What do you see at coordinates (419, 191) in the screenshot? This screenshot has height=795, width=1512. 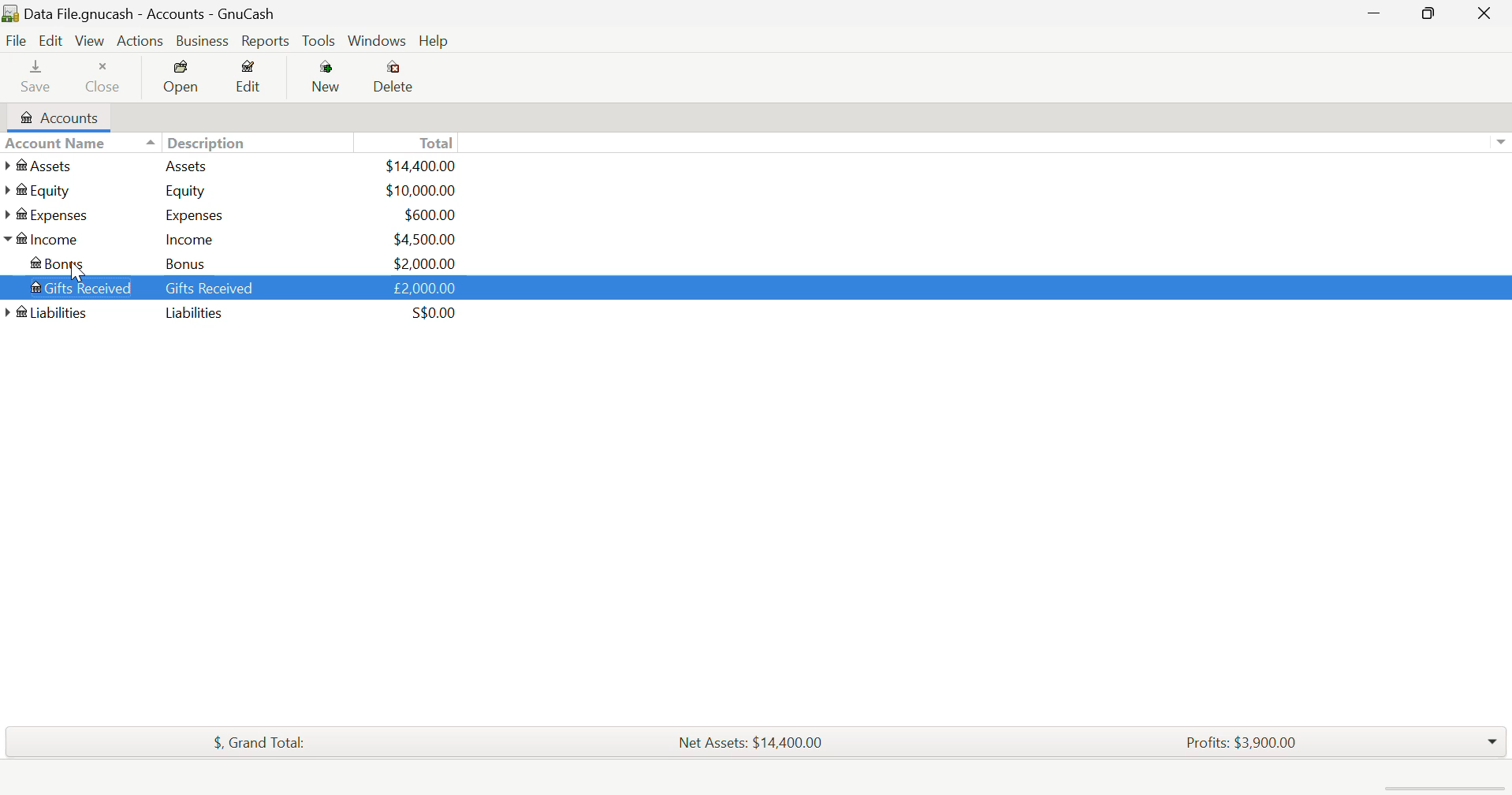 I see `USD` at bounding box center [419, 191].